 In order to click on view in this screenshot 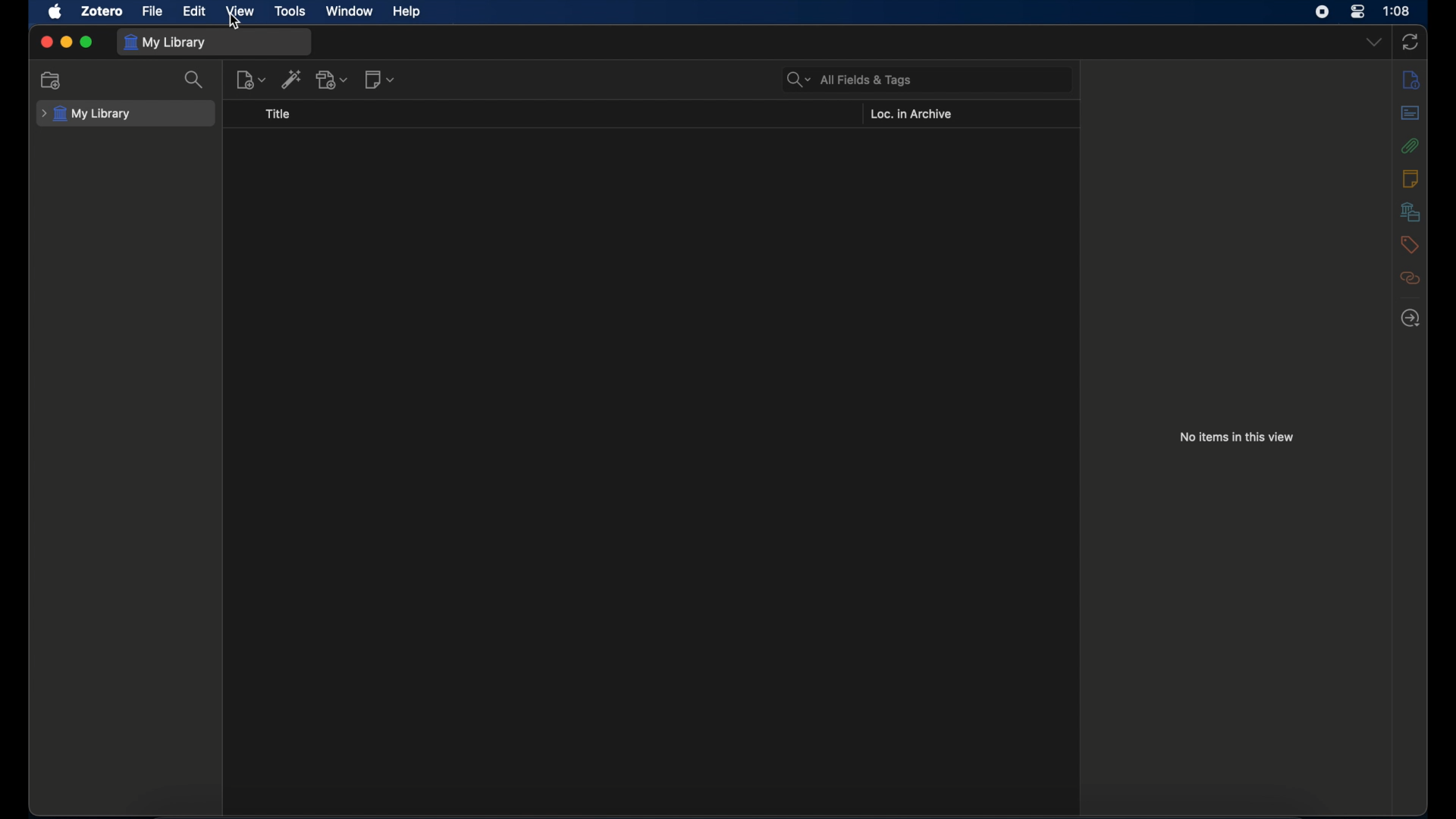, I will do `click(241, 12)`.